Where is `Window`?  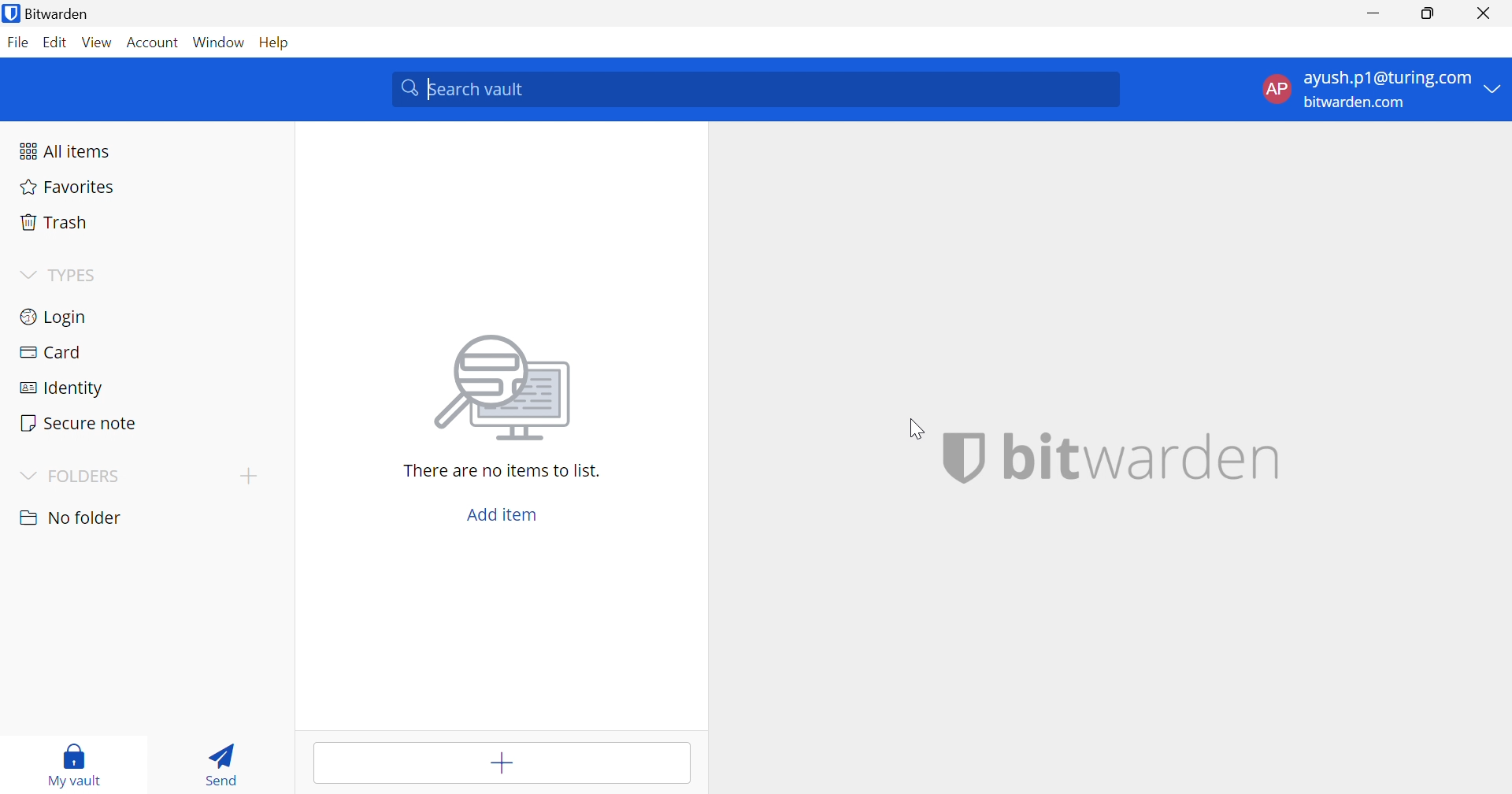 Window is located at coordinates (220, 42).